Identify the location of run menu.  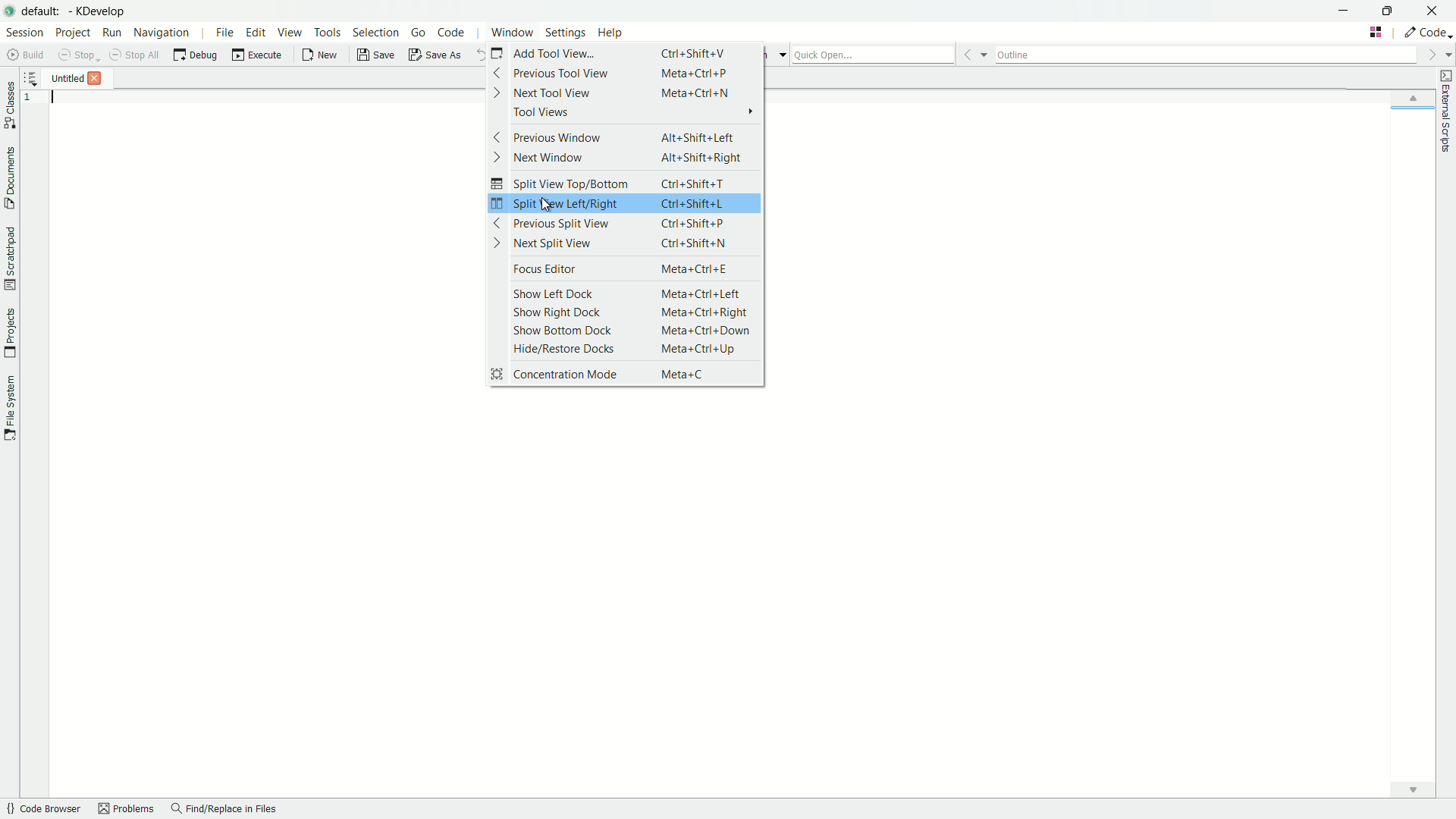
(112, 33).